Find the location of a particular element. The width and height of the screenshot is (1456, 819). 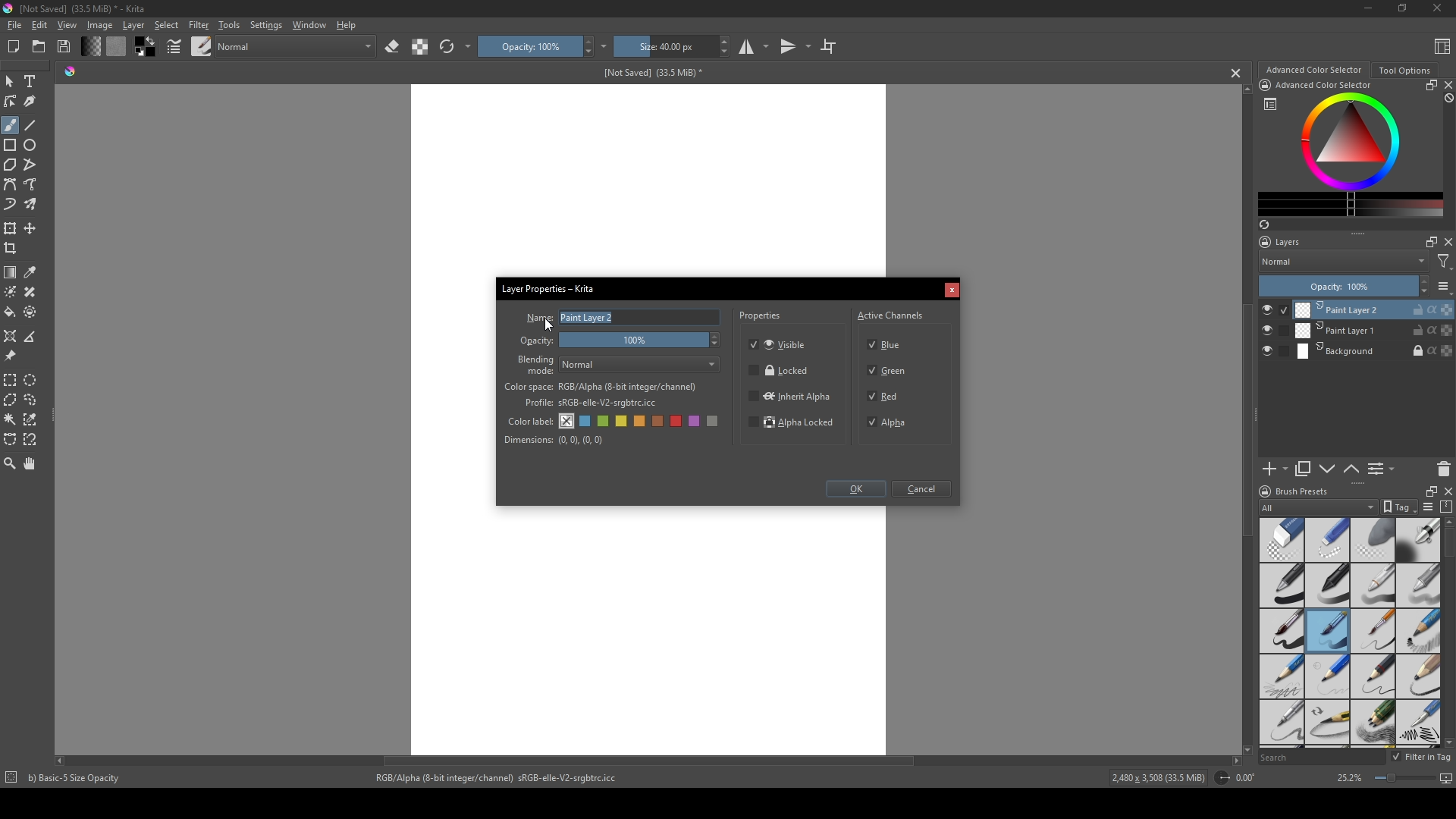

minimize is located at coordinates (1369, 8).